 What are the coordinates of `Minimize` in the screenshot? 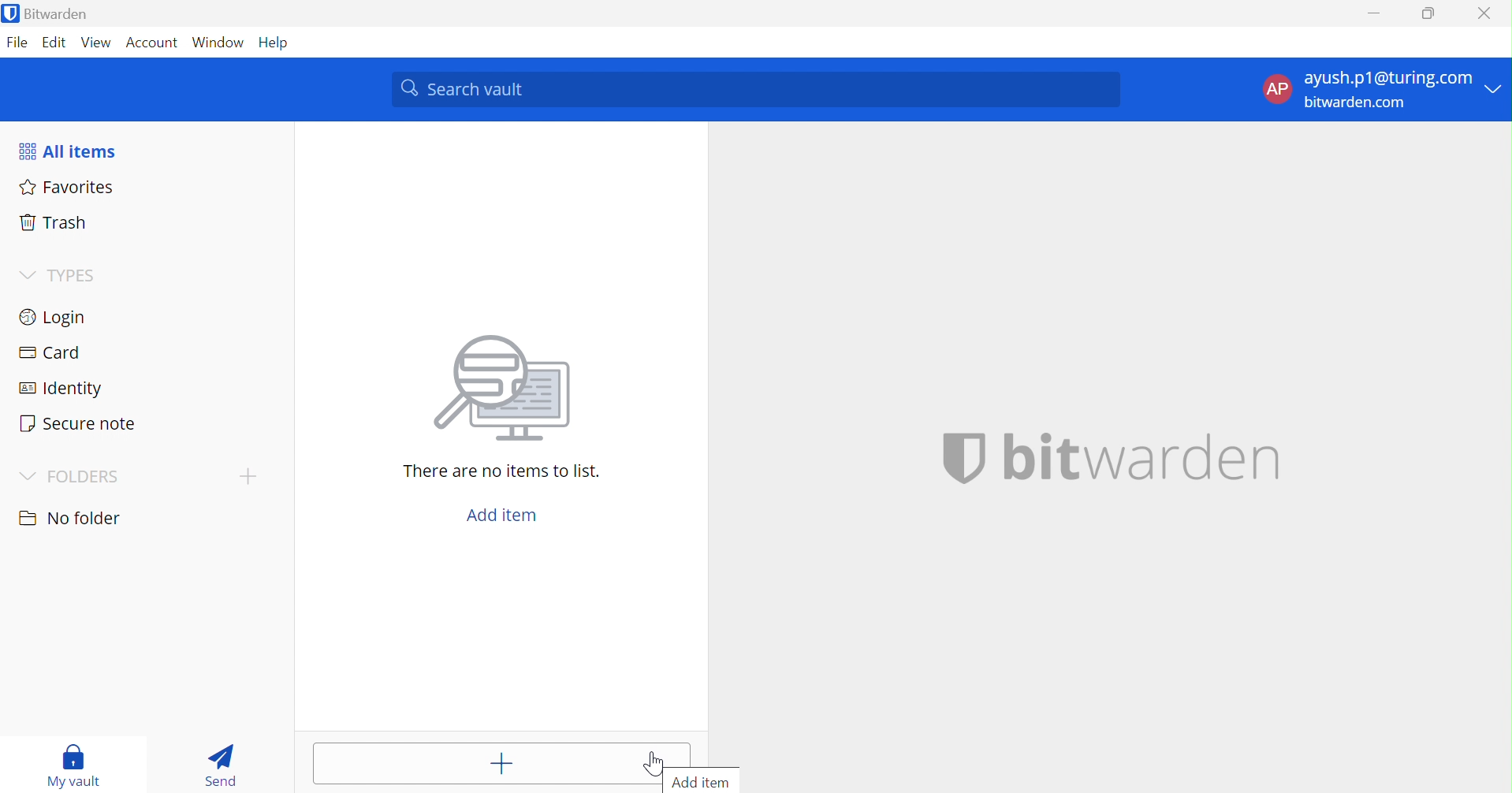 It's located at (1379, 14).